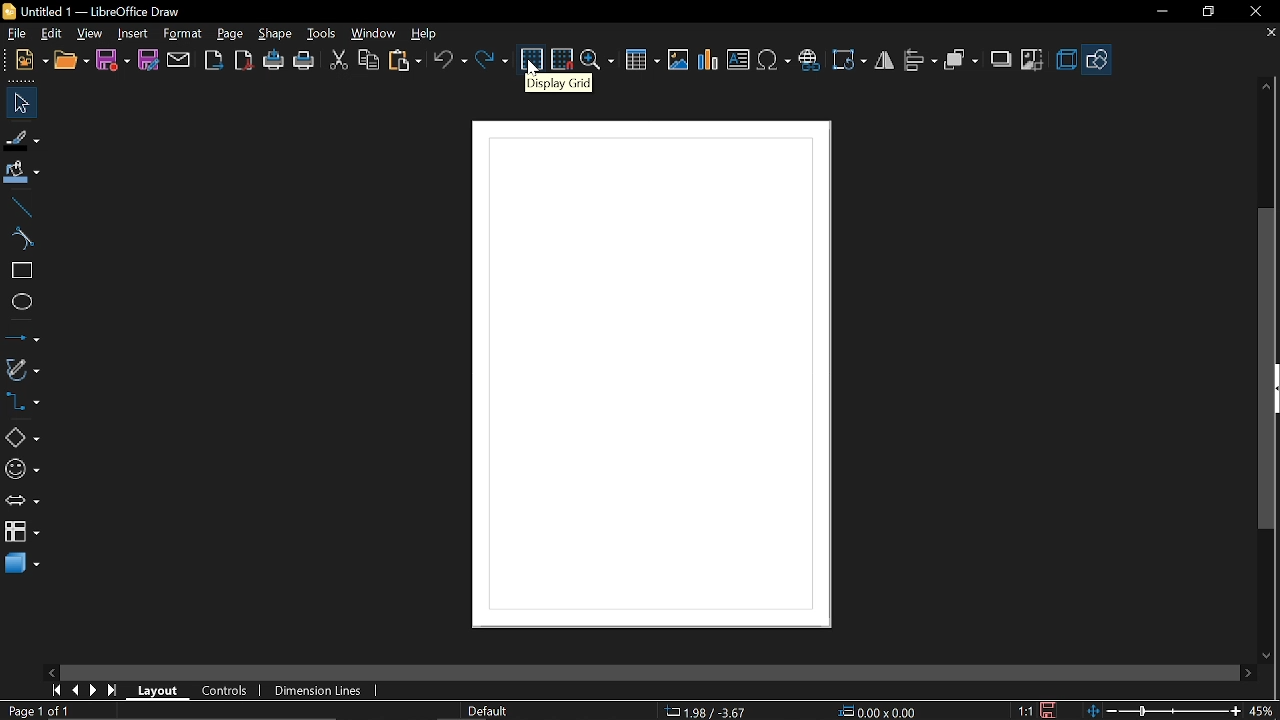  I want to click on Allign, so click(920, 61).